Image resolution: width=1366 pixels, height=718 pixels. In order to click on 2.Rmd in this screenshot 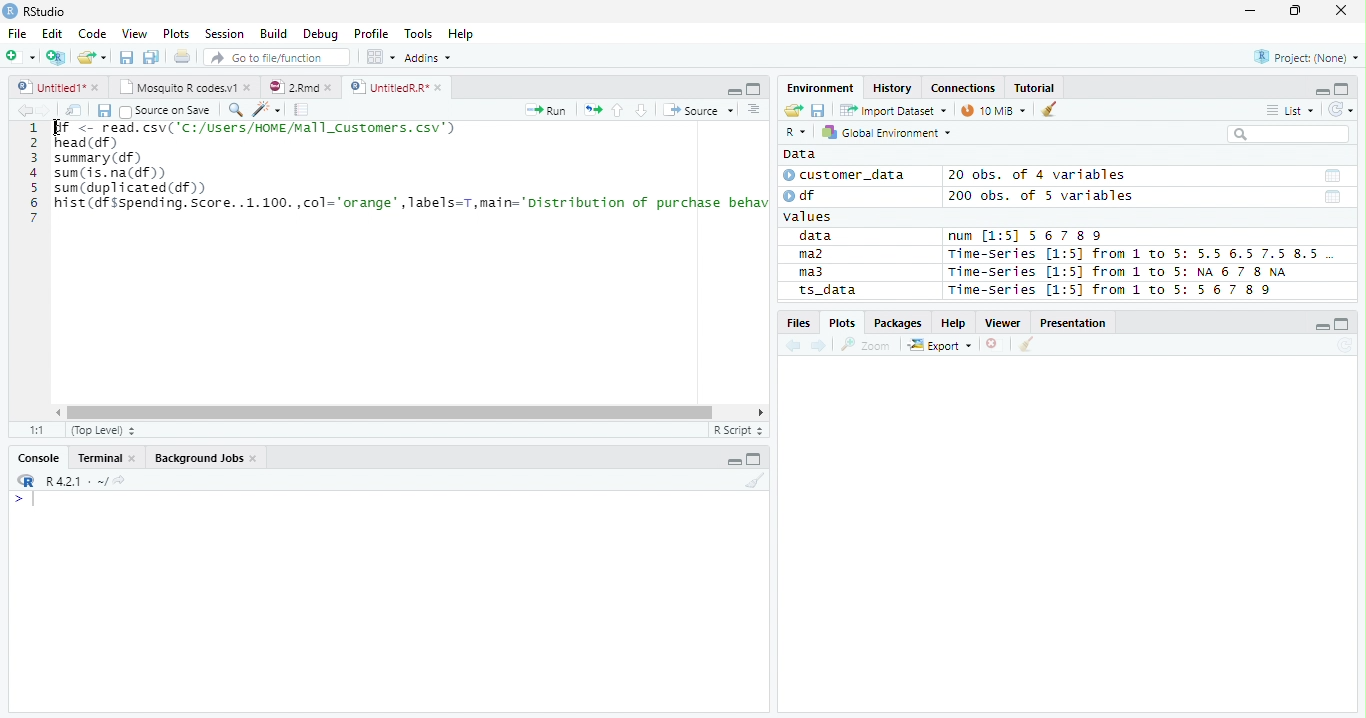, I will do `click(302, 88)`.